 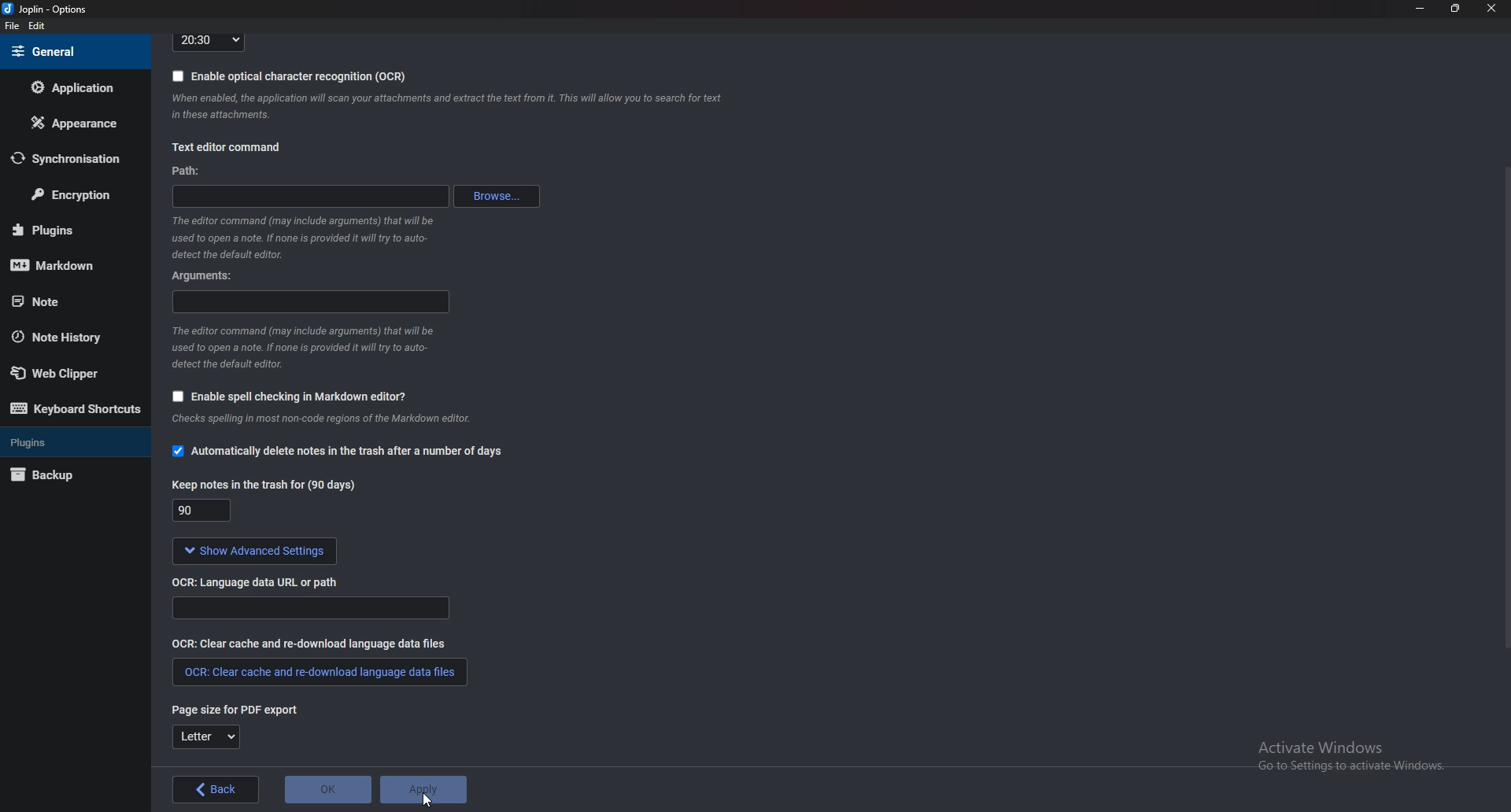 I want to click on Arguments, so click(x=209, y=275).